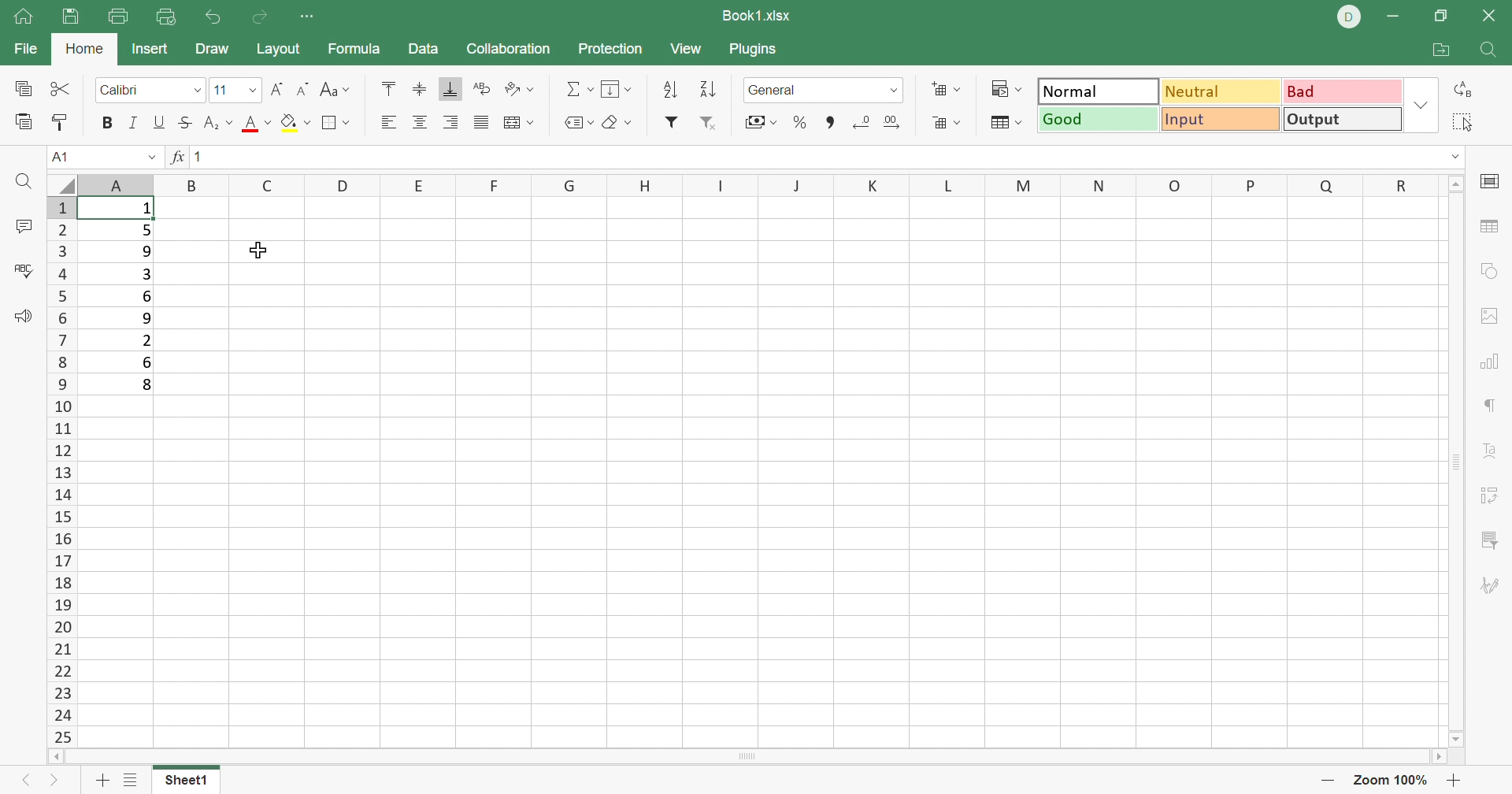  I want to click on Next, so click(57, 781).